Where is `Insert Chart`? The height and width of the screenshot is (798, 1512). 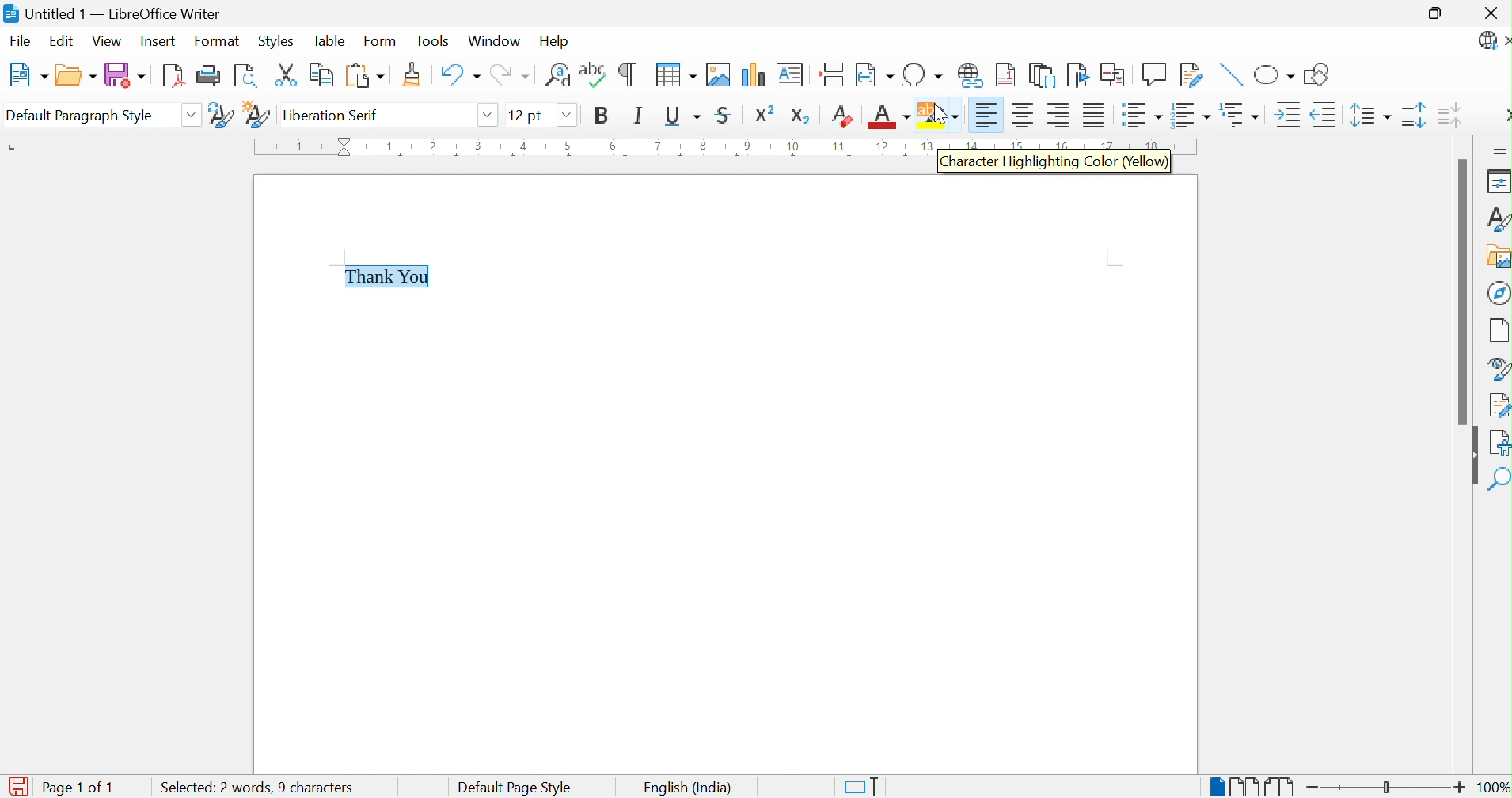 Insert Chart is located at coordinates (752, 74).